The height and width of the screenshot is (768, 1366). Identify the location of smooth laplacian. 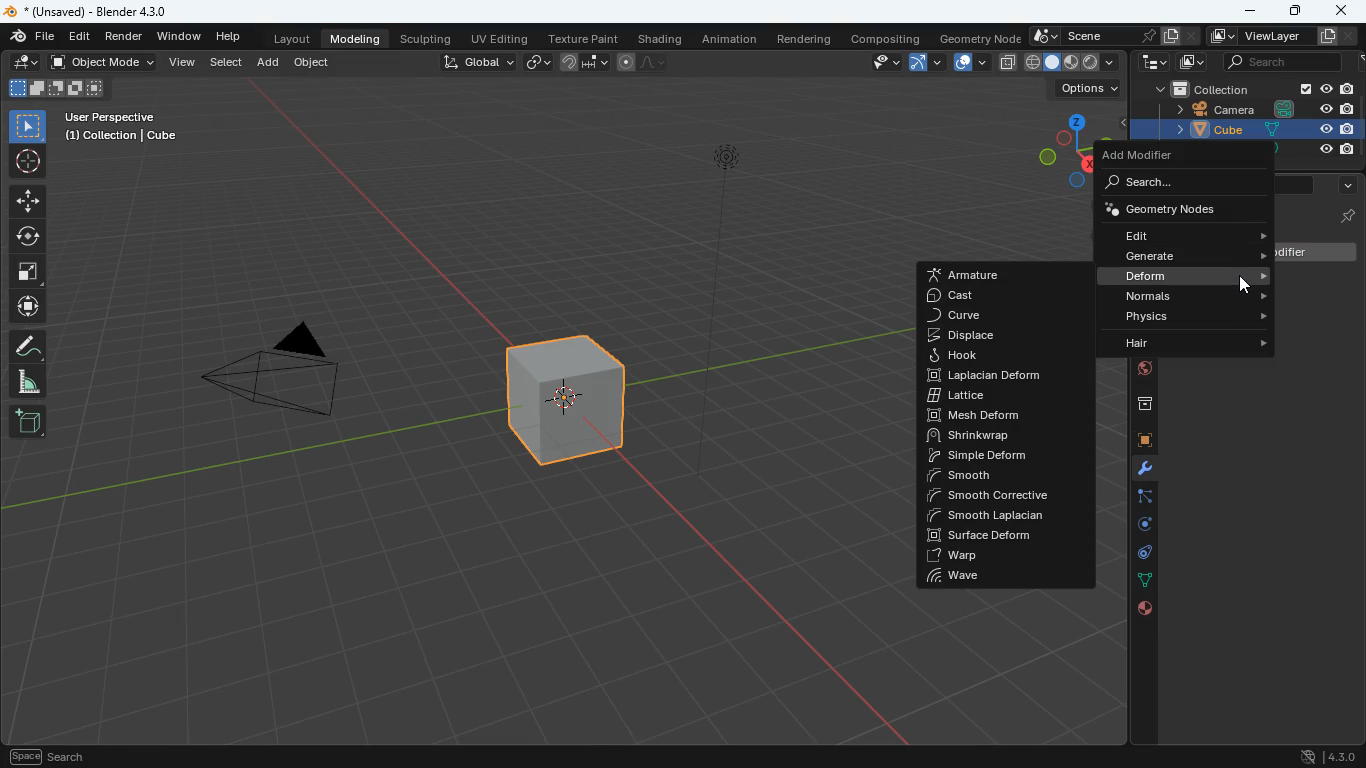
(1004, 518).